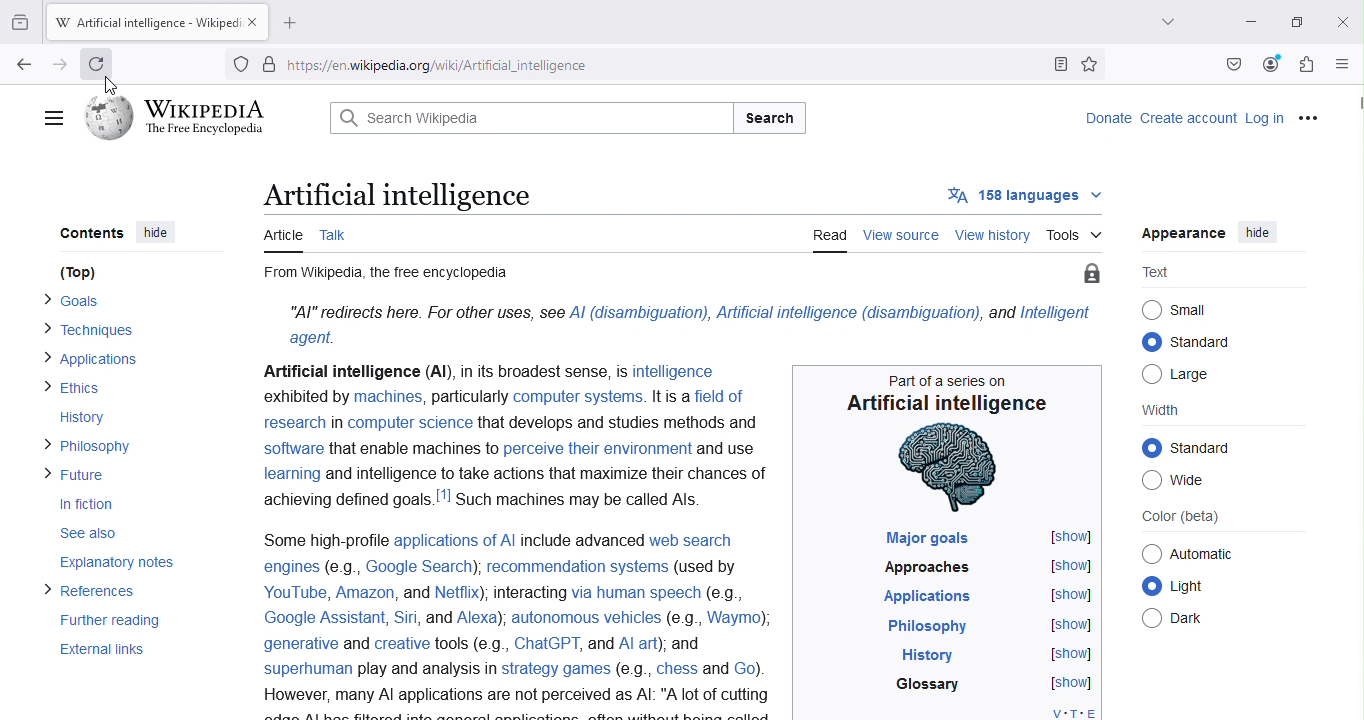  I want to click on > Philosophy, so click(85, 448).